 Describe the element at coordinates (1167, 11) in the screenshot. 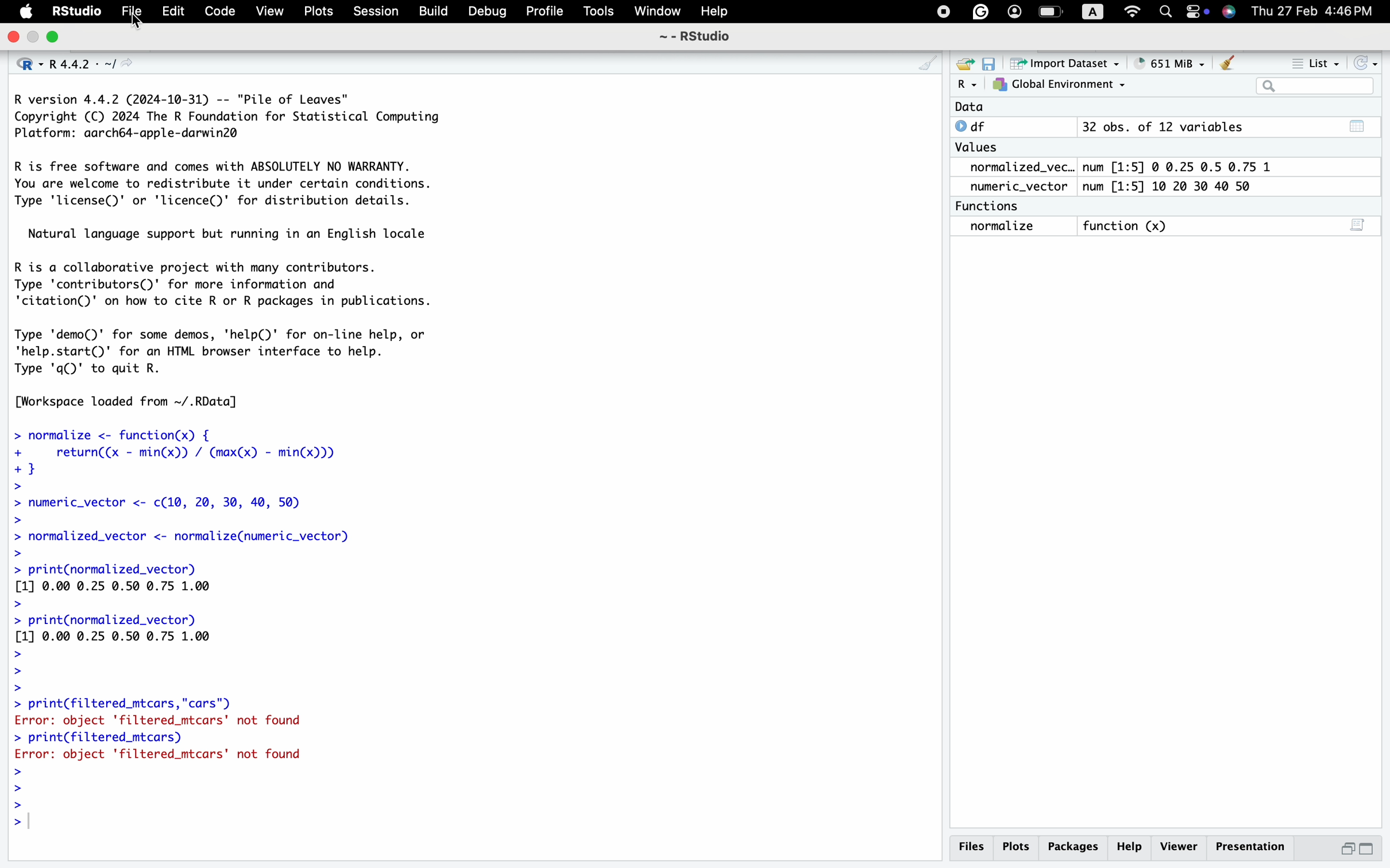

I see `Search ` at that location.